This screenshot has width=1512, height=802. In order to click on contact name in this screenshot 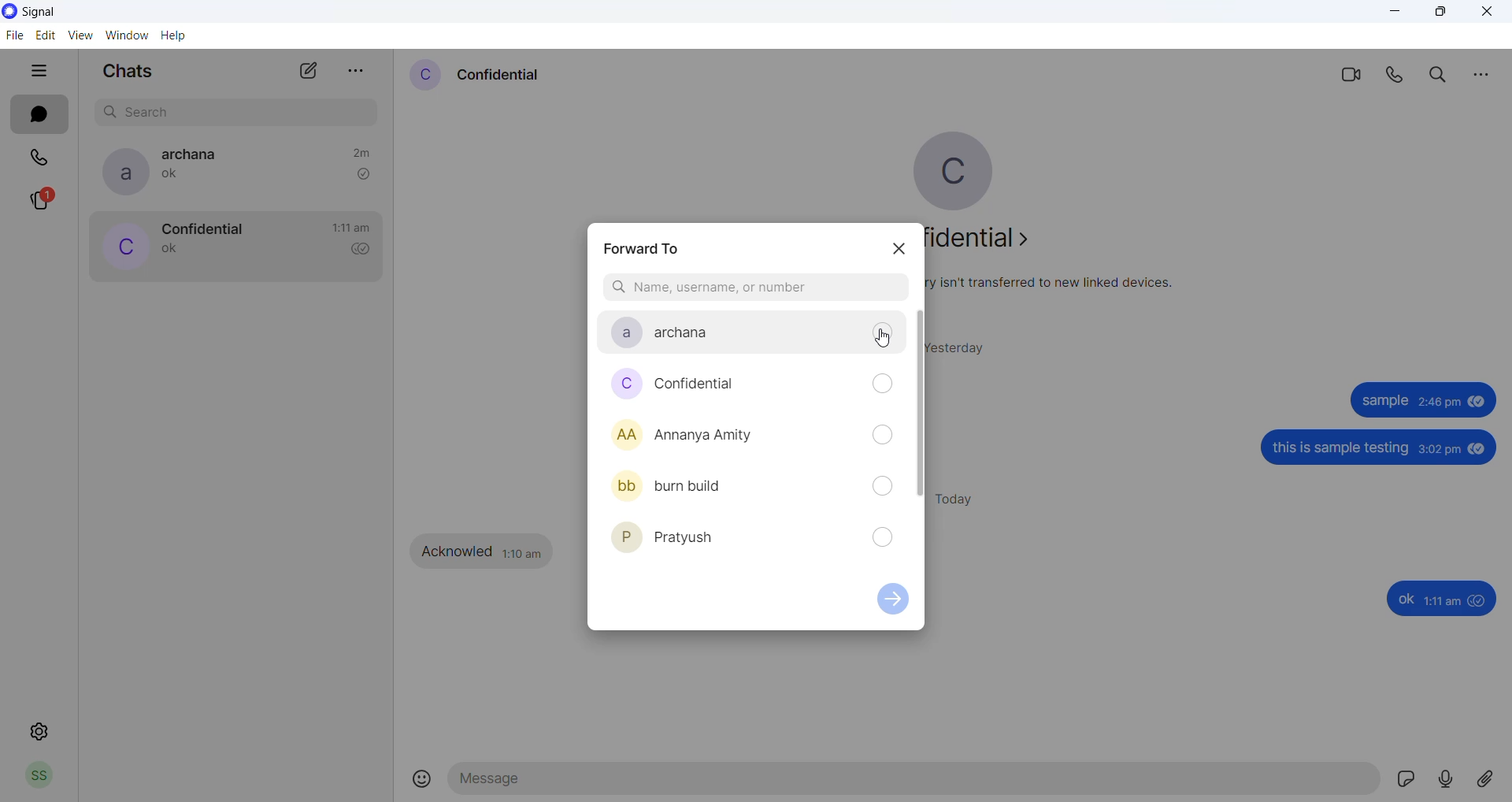, I will do `click(202, 228)`.